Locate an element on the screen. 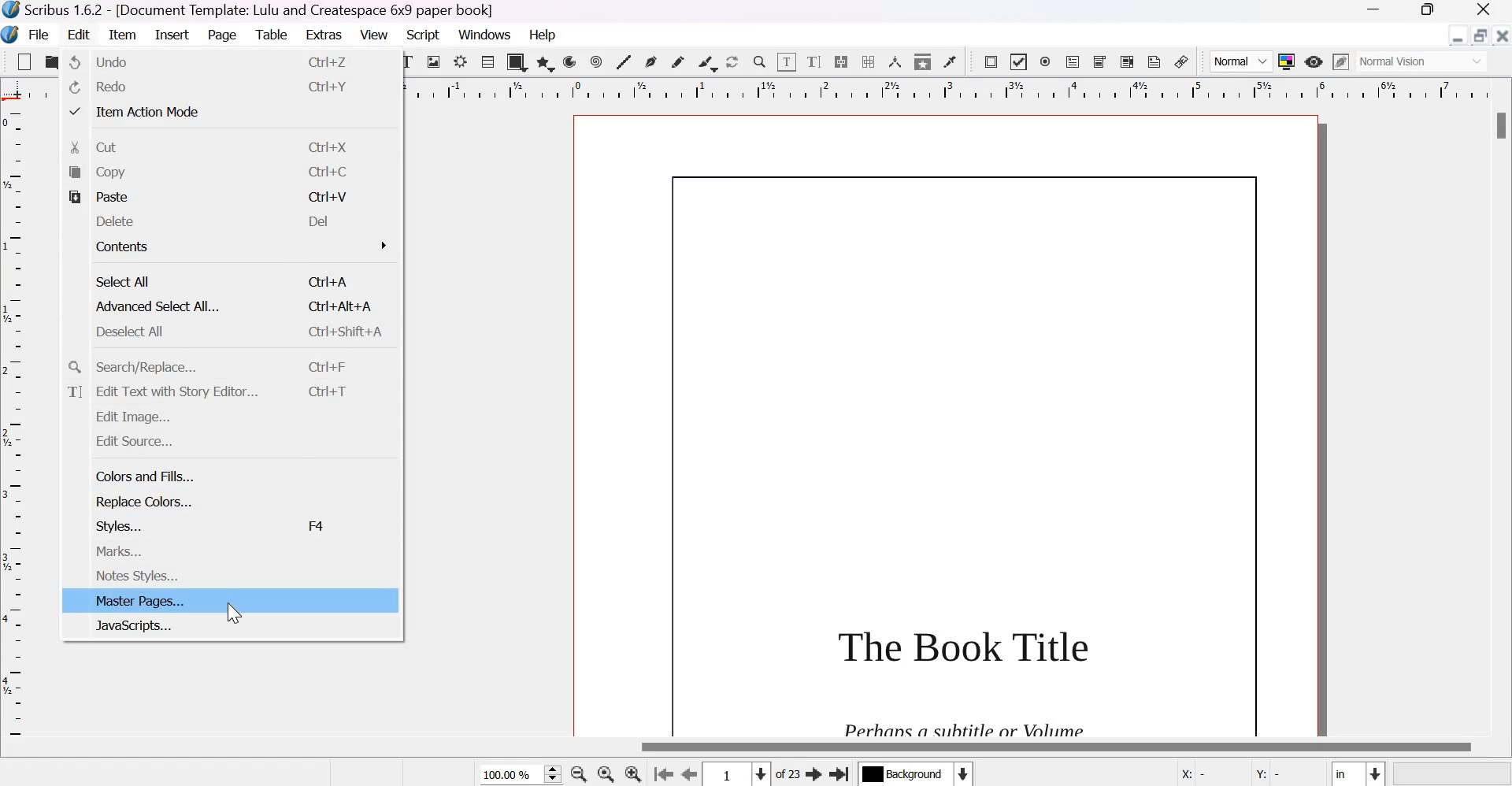 Image resolution: width=1512 pixels, height=786 pixels. zoom in to 100% is located at coordinates (606, 773).